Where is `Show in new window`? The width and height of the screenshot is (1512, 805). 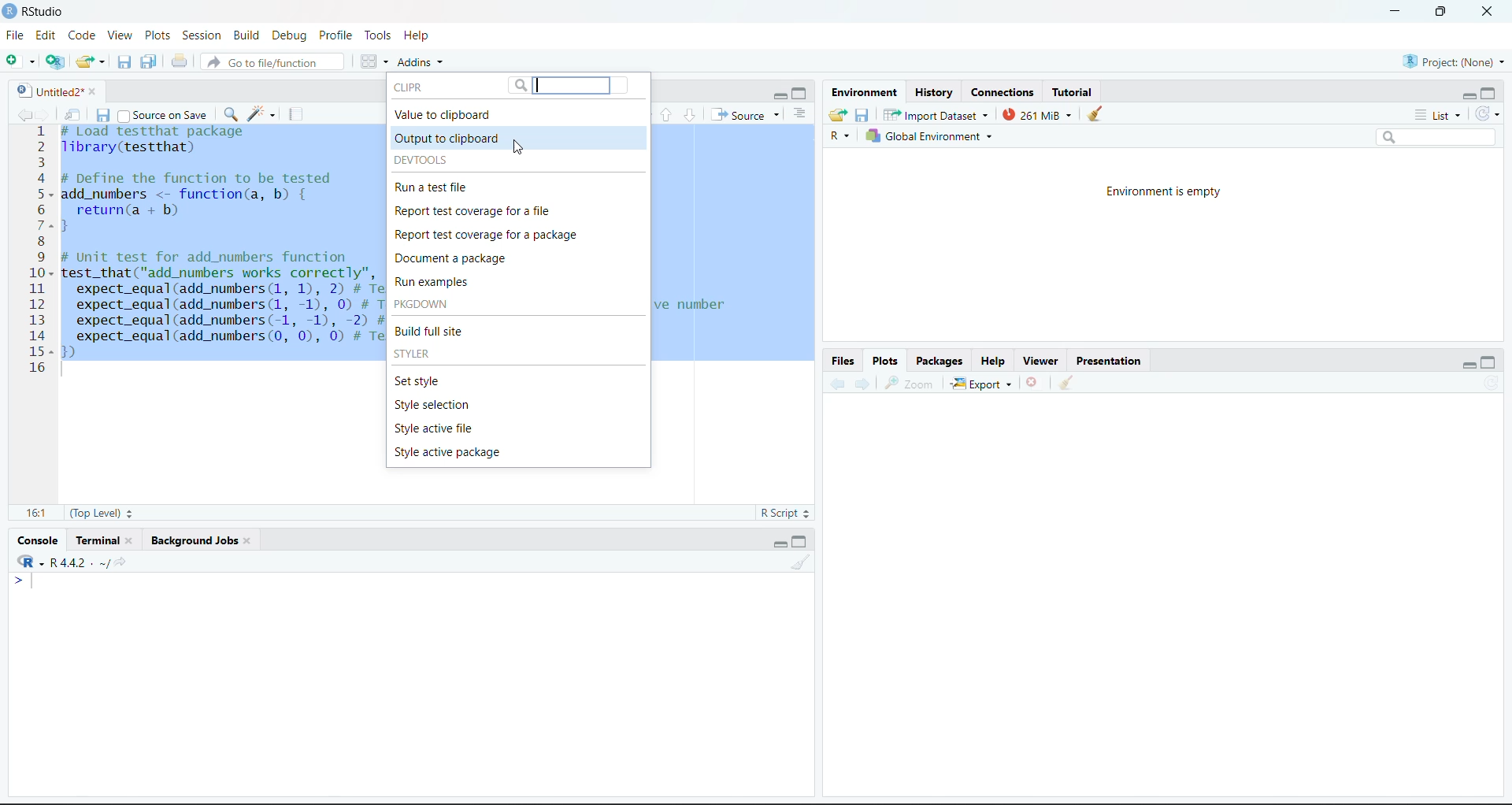 Show in new window is located at coordinates (73, 115).